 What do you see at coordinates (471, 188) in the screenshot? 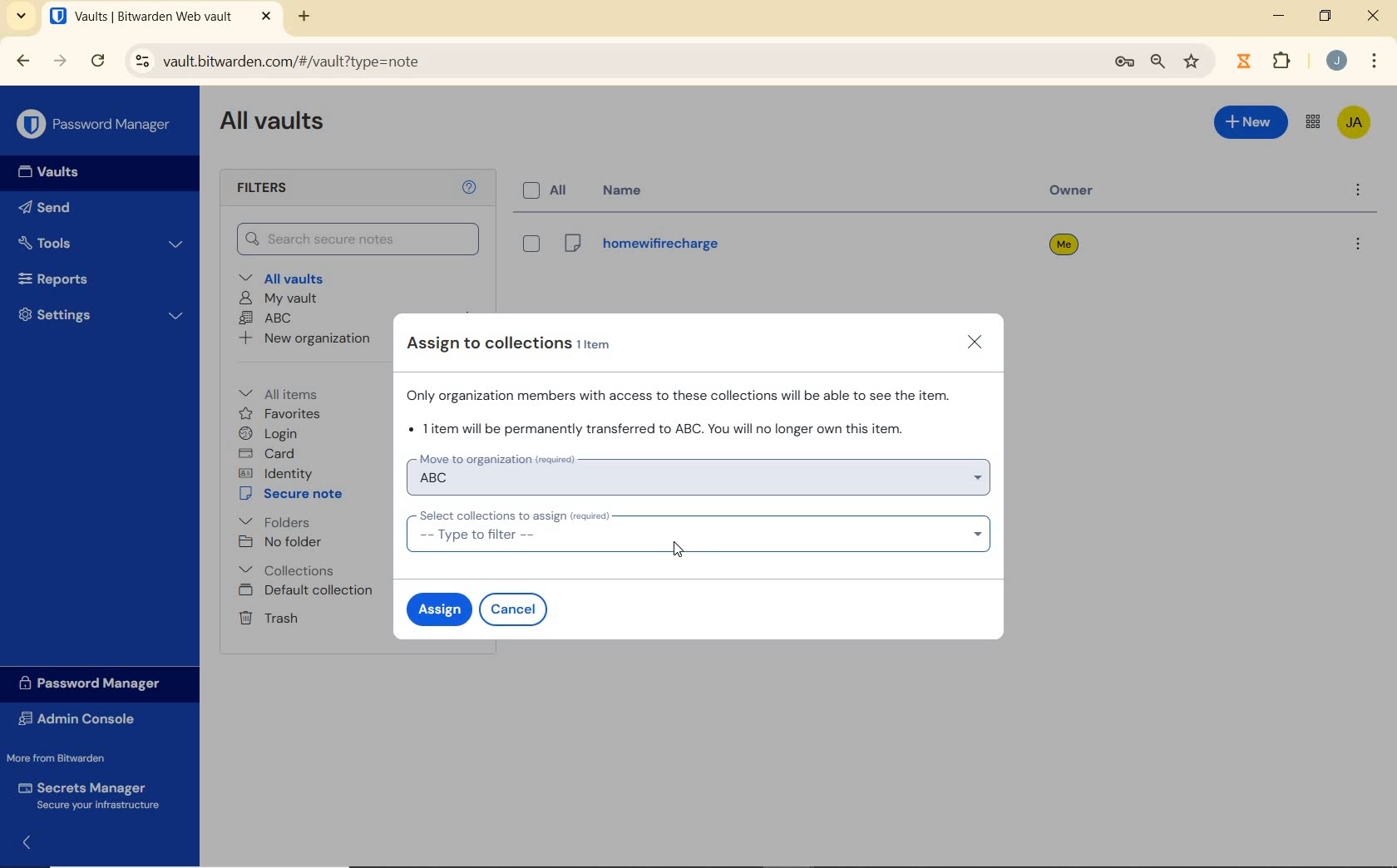
I see `Help` at bounding box center [471, 188].